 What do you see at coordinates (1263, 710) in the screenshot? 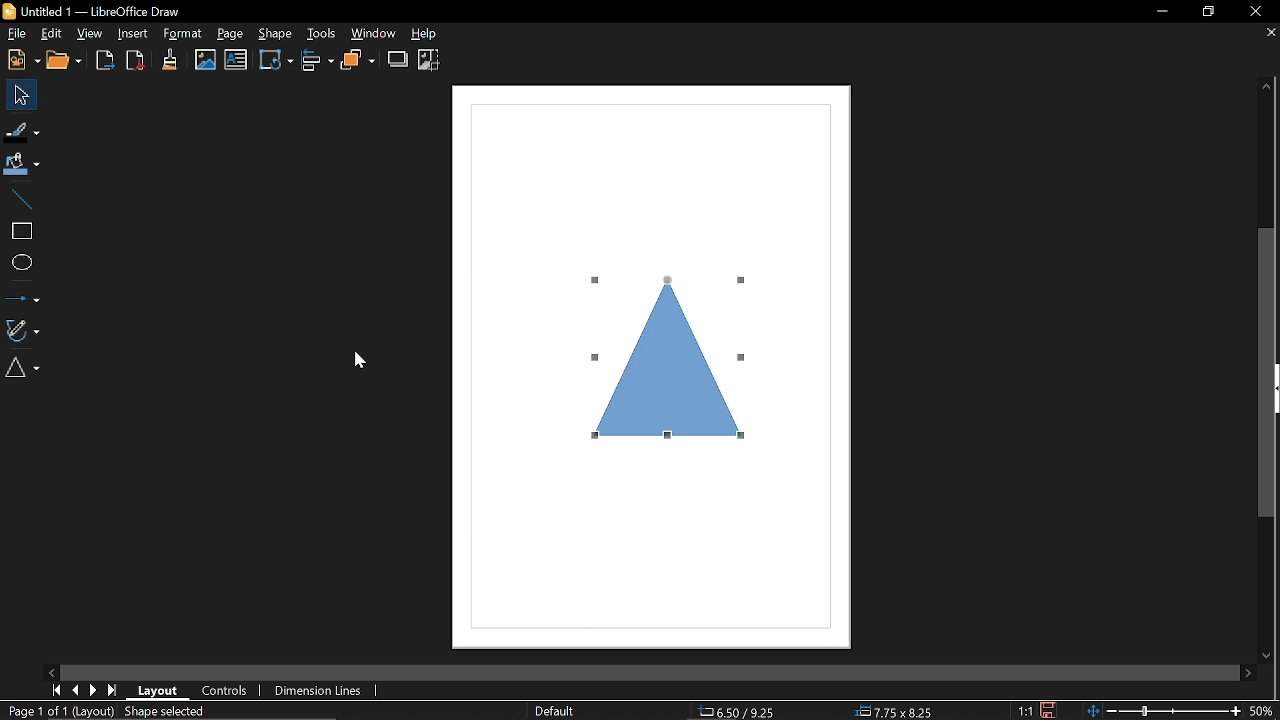
I see `Zoom` at bounding box center [1263, 710].